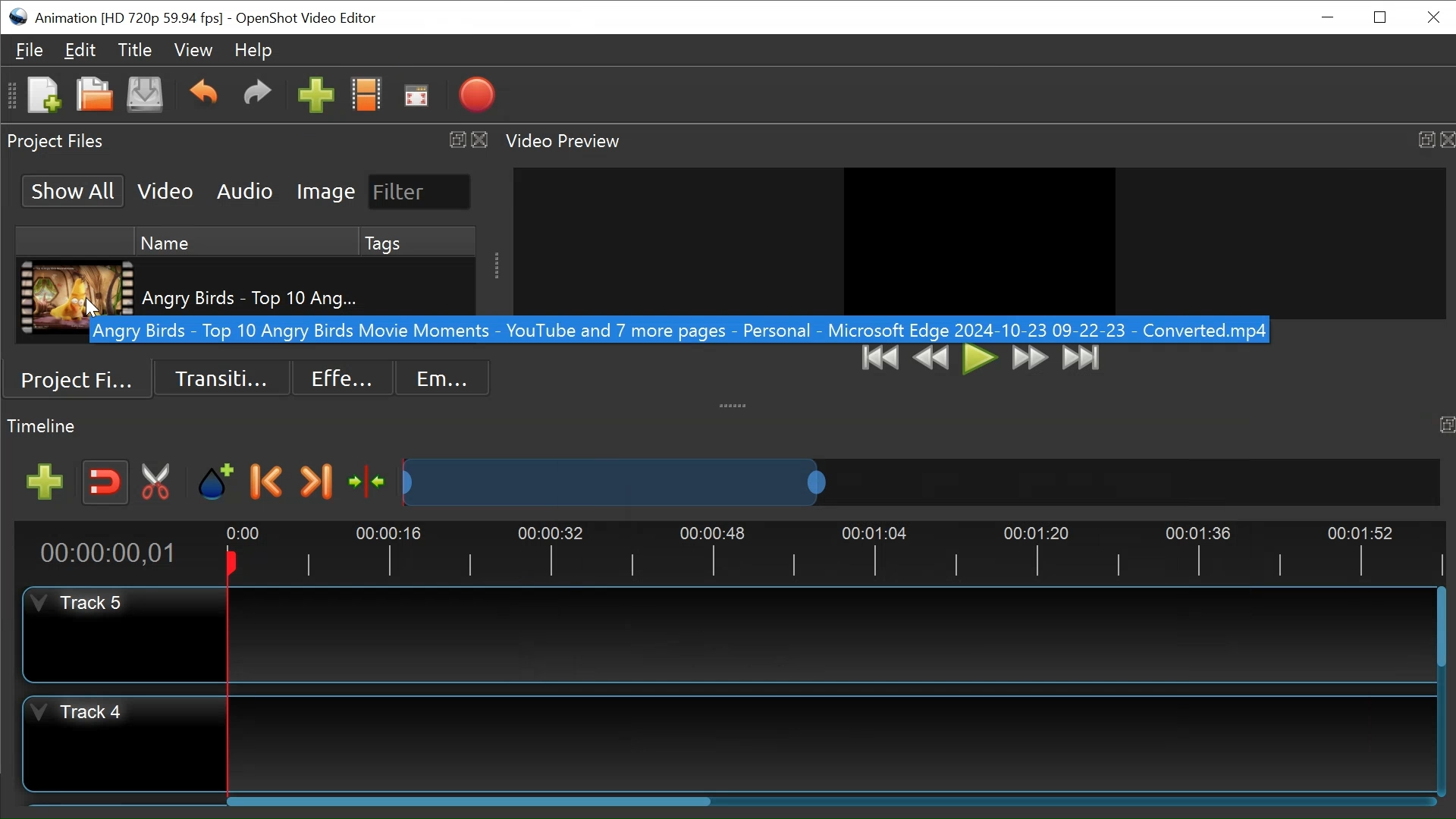  Describe the element at coordinates (1446, 138) in the screenshot. I see `Close` at that location.